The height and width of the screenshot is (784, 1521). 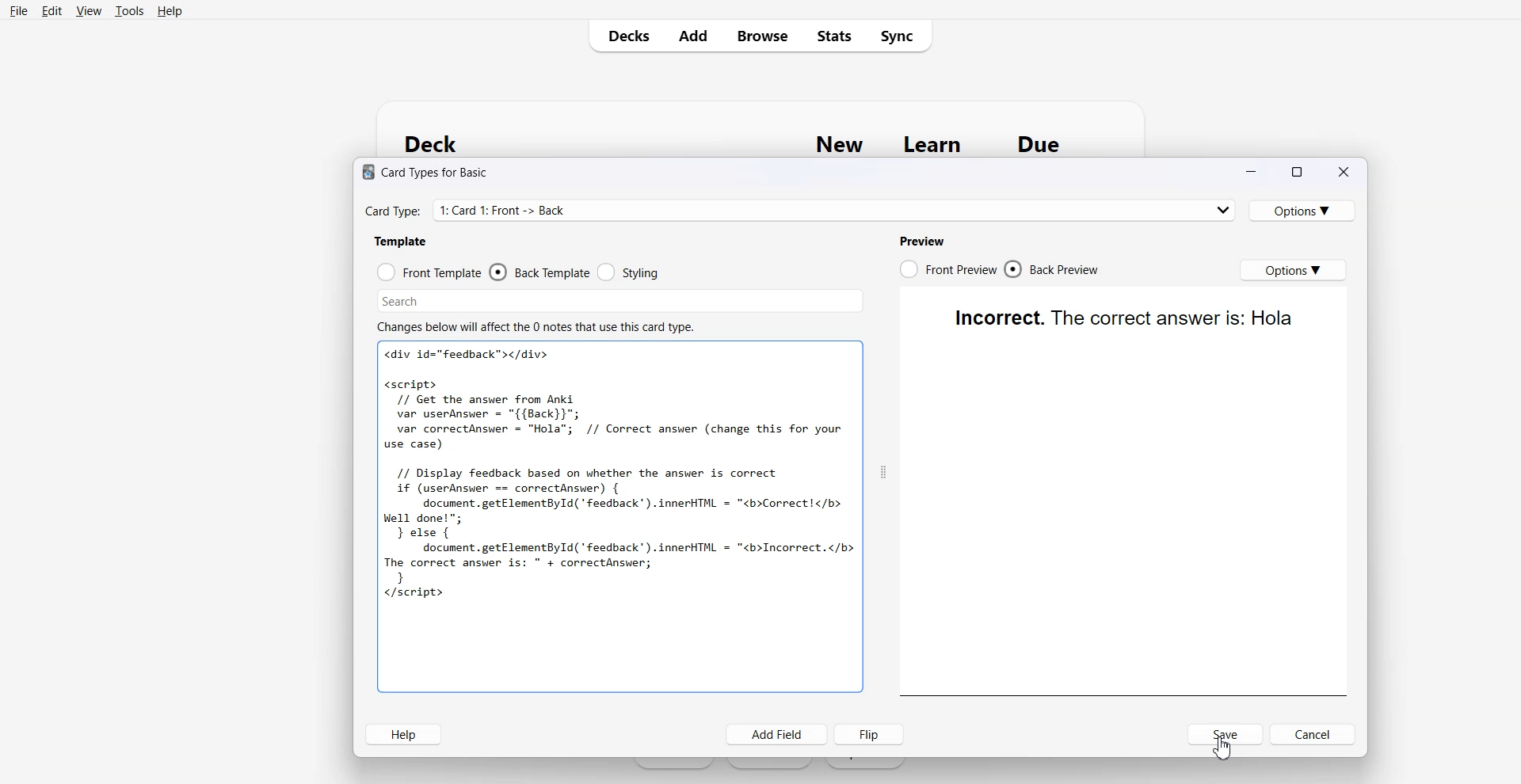 I want to click on Front template, so click(x=436, y=272).